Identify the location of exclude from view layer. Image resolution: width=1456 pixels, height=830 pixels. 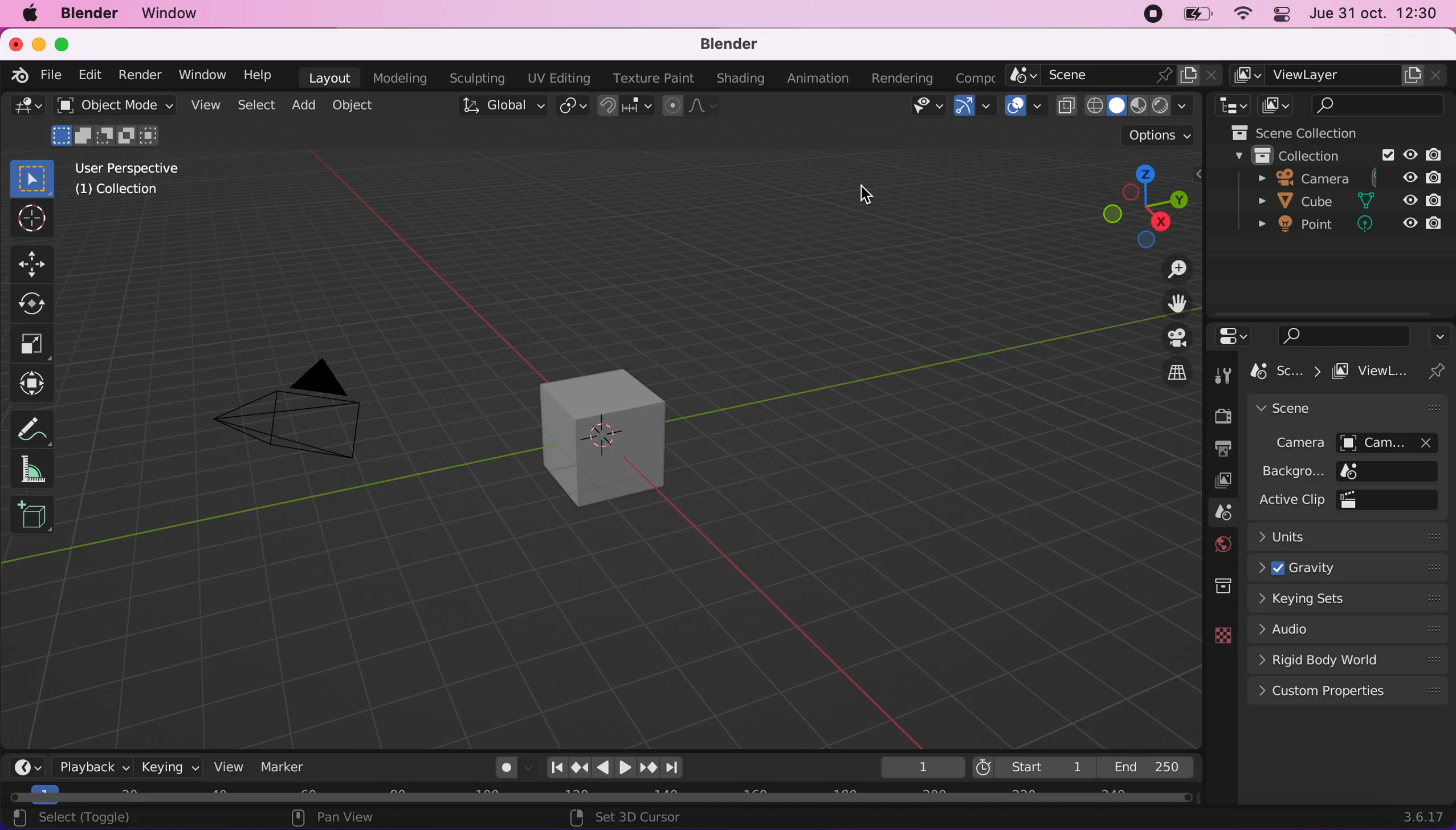
(1386, 154).